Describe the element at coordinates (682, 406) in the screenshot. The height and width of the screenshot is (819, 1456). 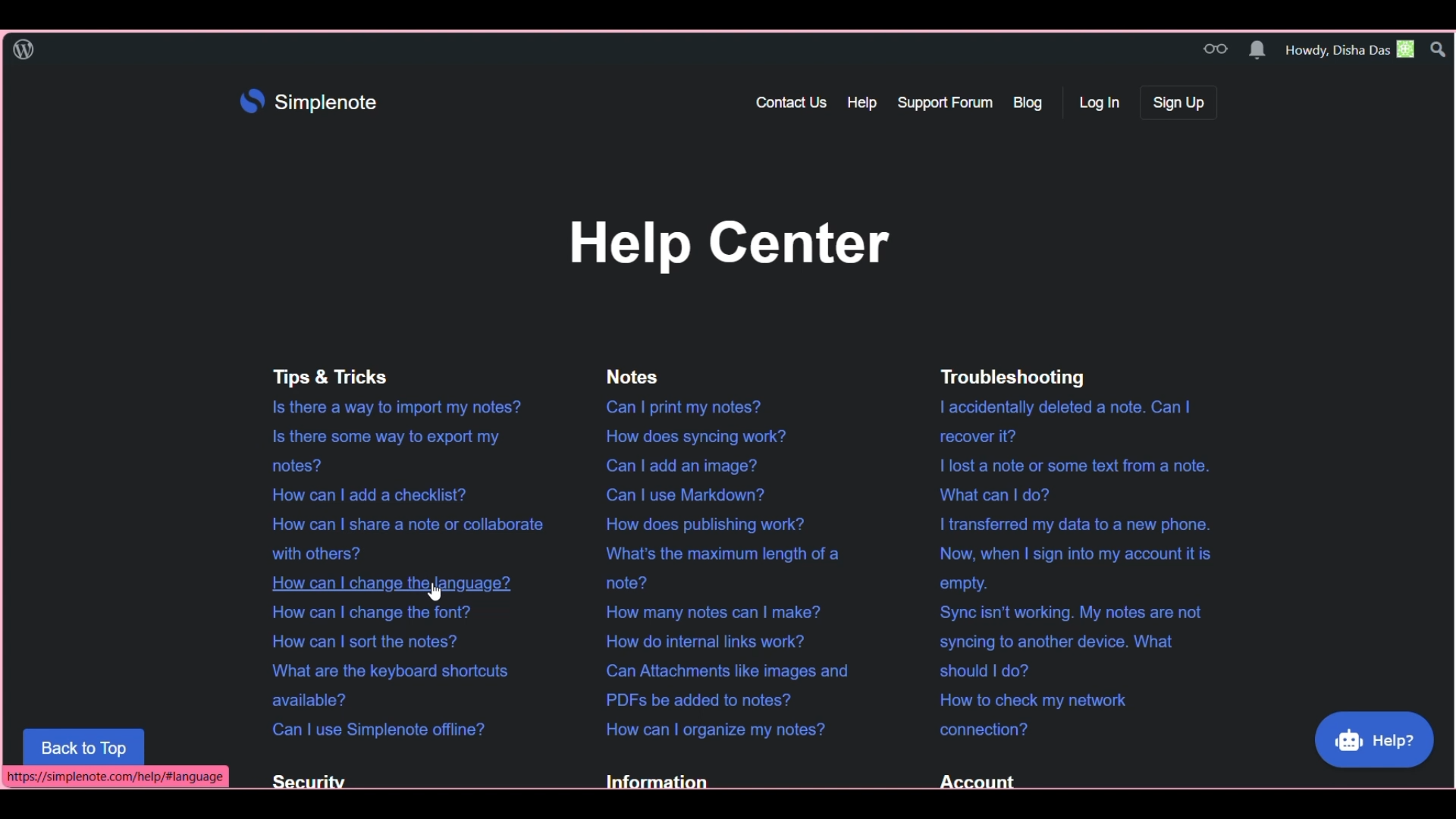
I see `Can | print my notes?` at that location.